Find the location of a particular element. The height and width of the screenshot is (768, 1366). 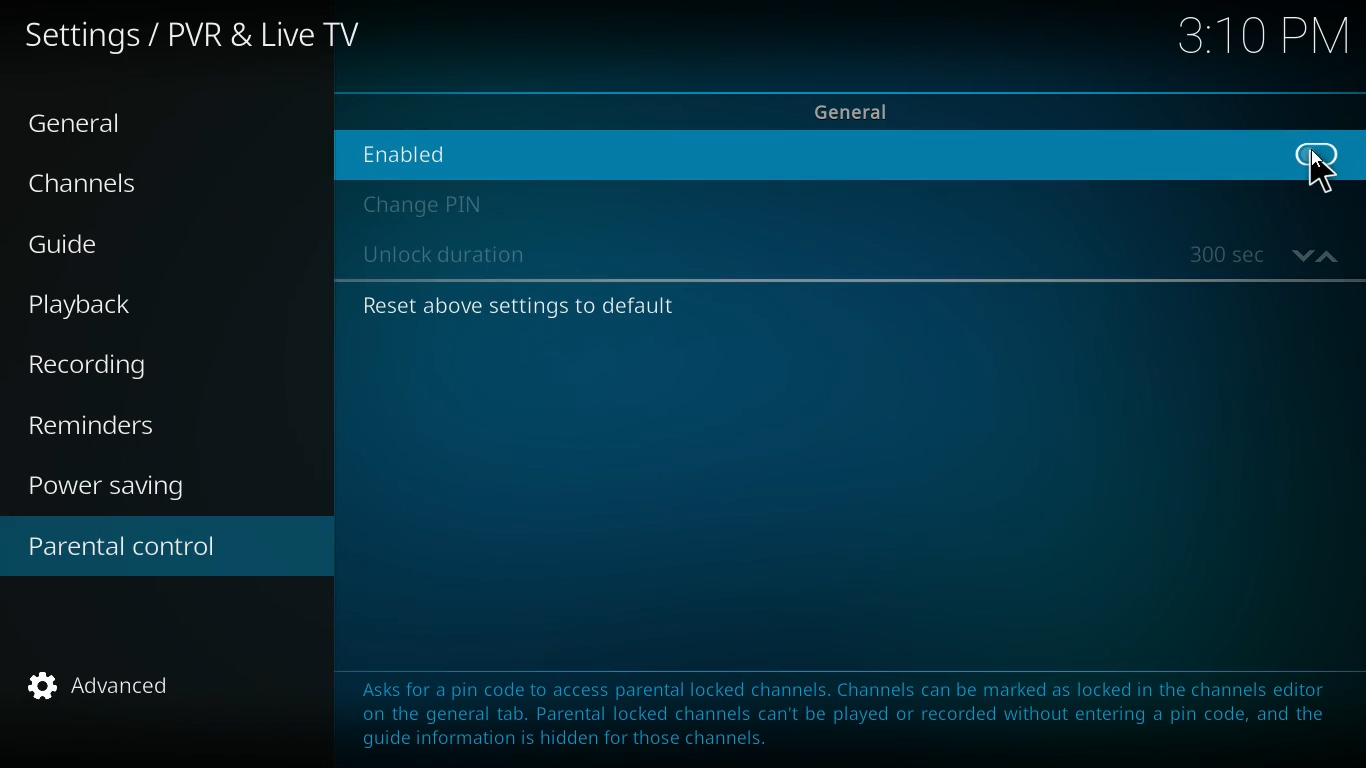

change pin is located at coordinates (429, 205).